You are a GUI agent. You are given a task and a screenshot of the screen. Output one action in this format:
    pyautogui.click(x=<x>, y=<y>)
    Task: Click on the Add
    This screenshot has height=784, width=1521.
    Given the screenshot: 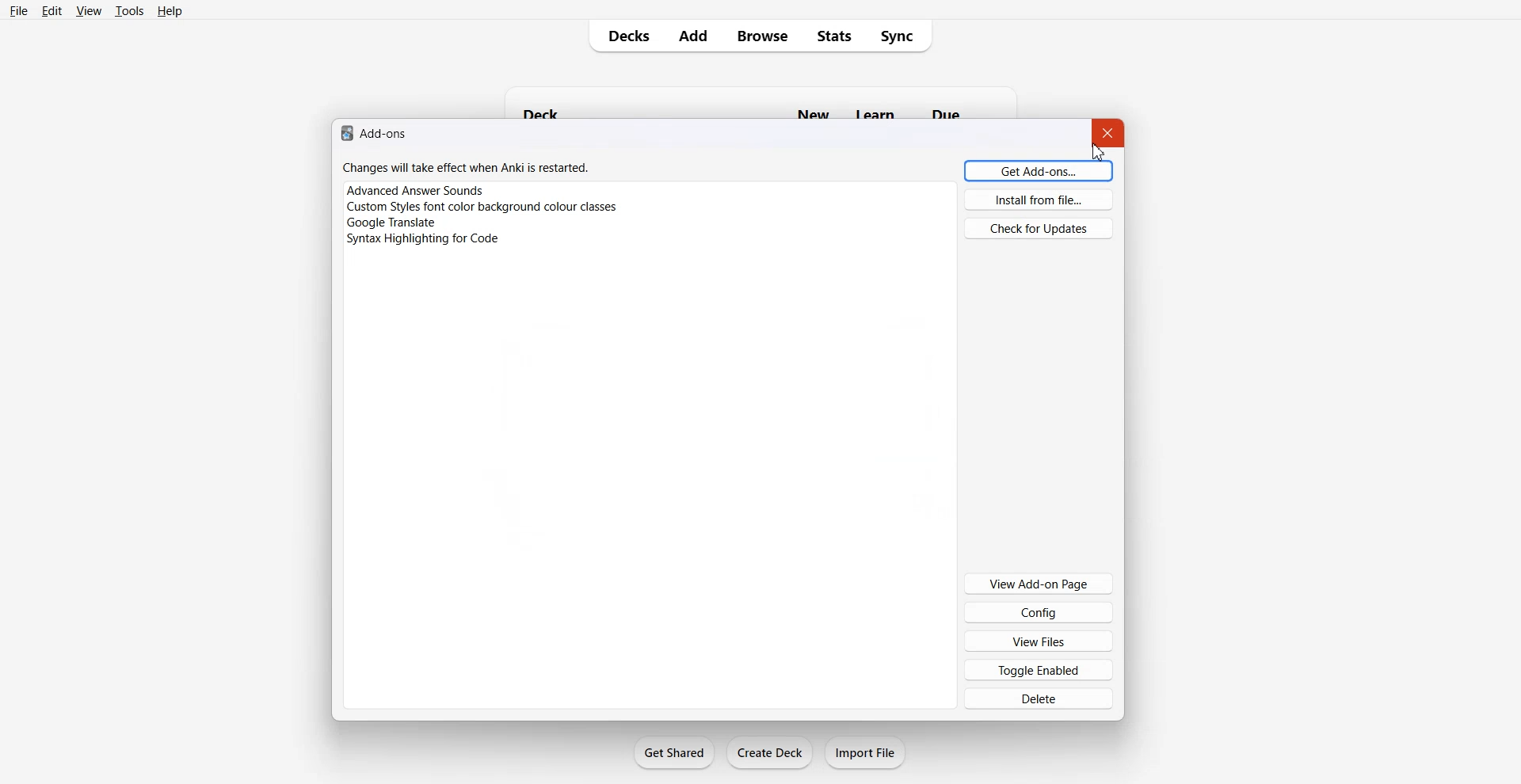 What is the action you would take?
    pyautogui.click(x=693, y=36)
    